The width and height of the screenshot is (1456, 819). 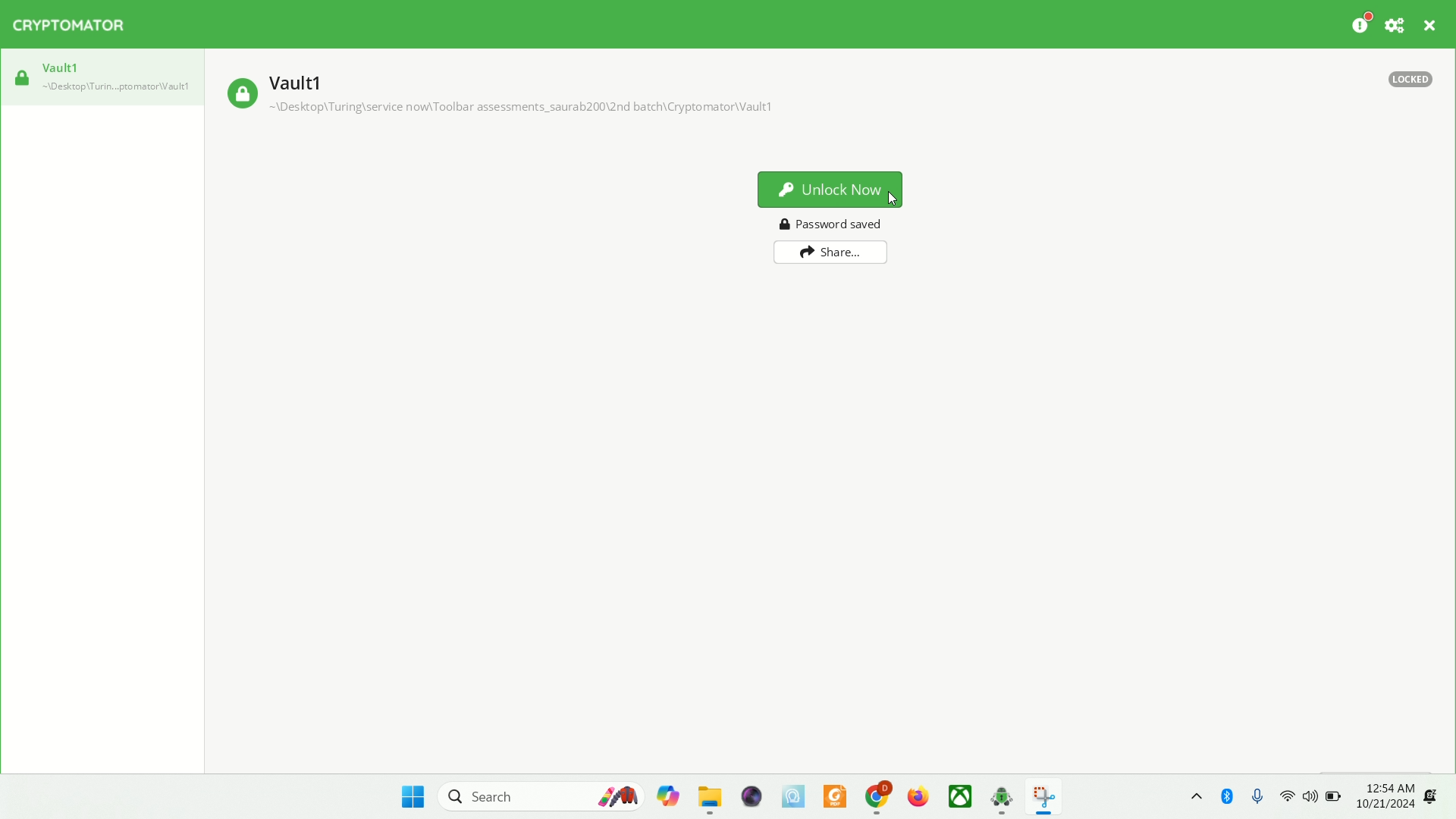 What do you see at coordinates (1398, 27) in the screenshot?
I see `Preferences` at bounding box center [1398, 27].